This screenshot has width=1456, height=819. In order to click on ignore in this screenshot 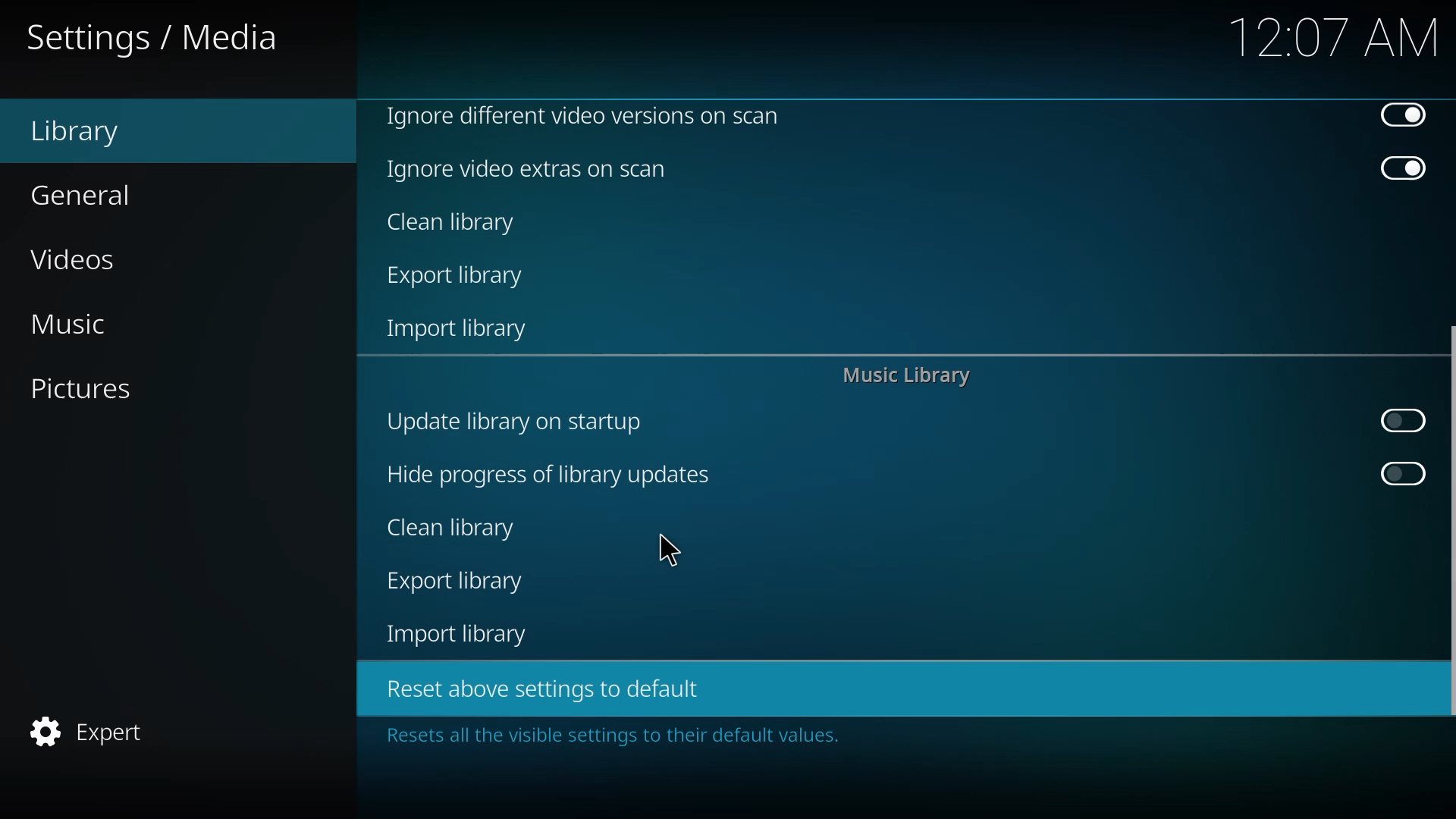, I will do `click(582, 115)`.